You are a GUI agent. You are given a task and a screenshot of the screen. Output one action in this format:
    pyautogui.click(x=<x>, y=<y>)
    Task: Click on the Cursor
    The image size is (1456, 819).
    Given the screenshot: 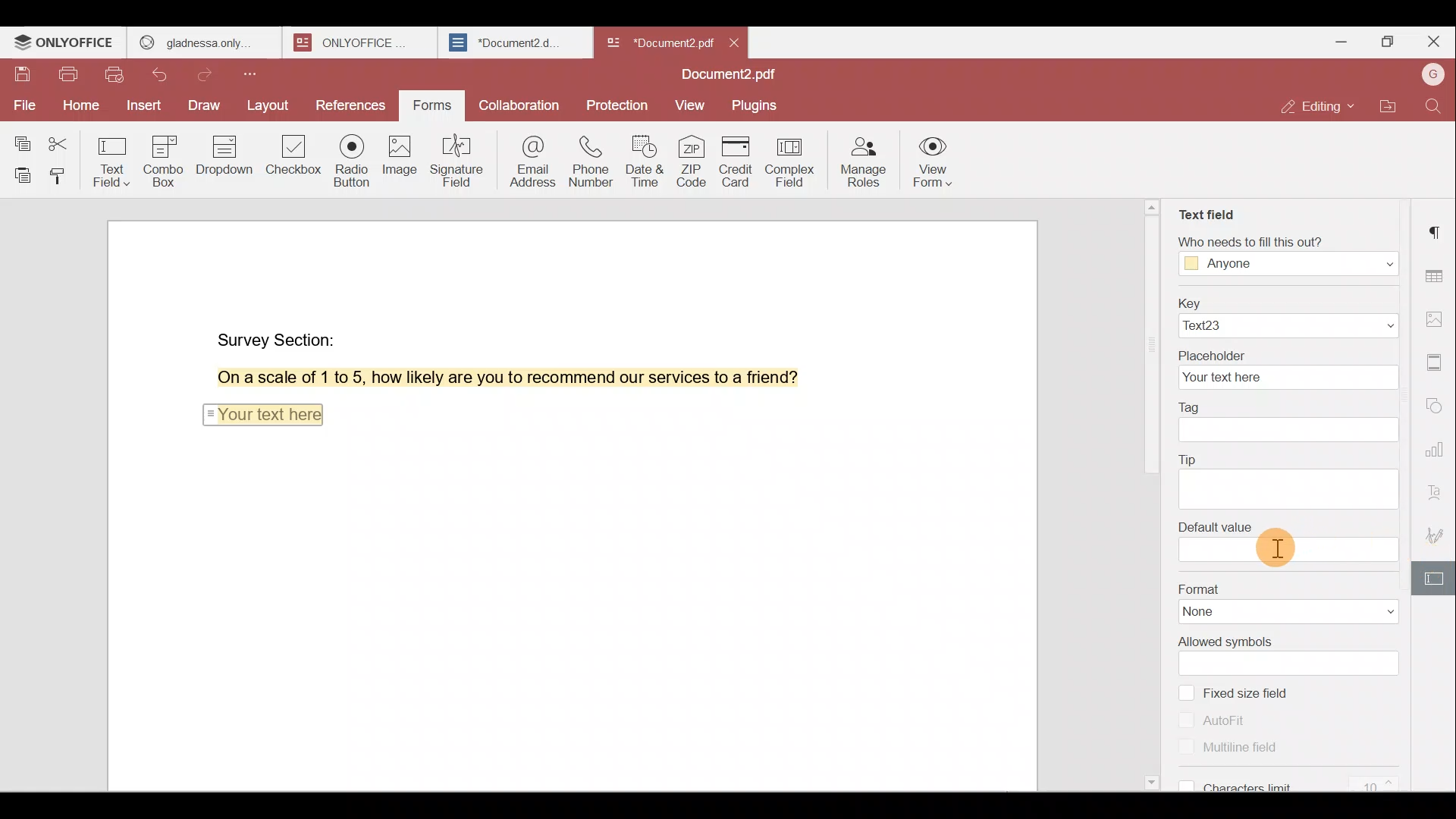 What is the action you would take?
    pyautogui.click(x=1273, y=546)
    